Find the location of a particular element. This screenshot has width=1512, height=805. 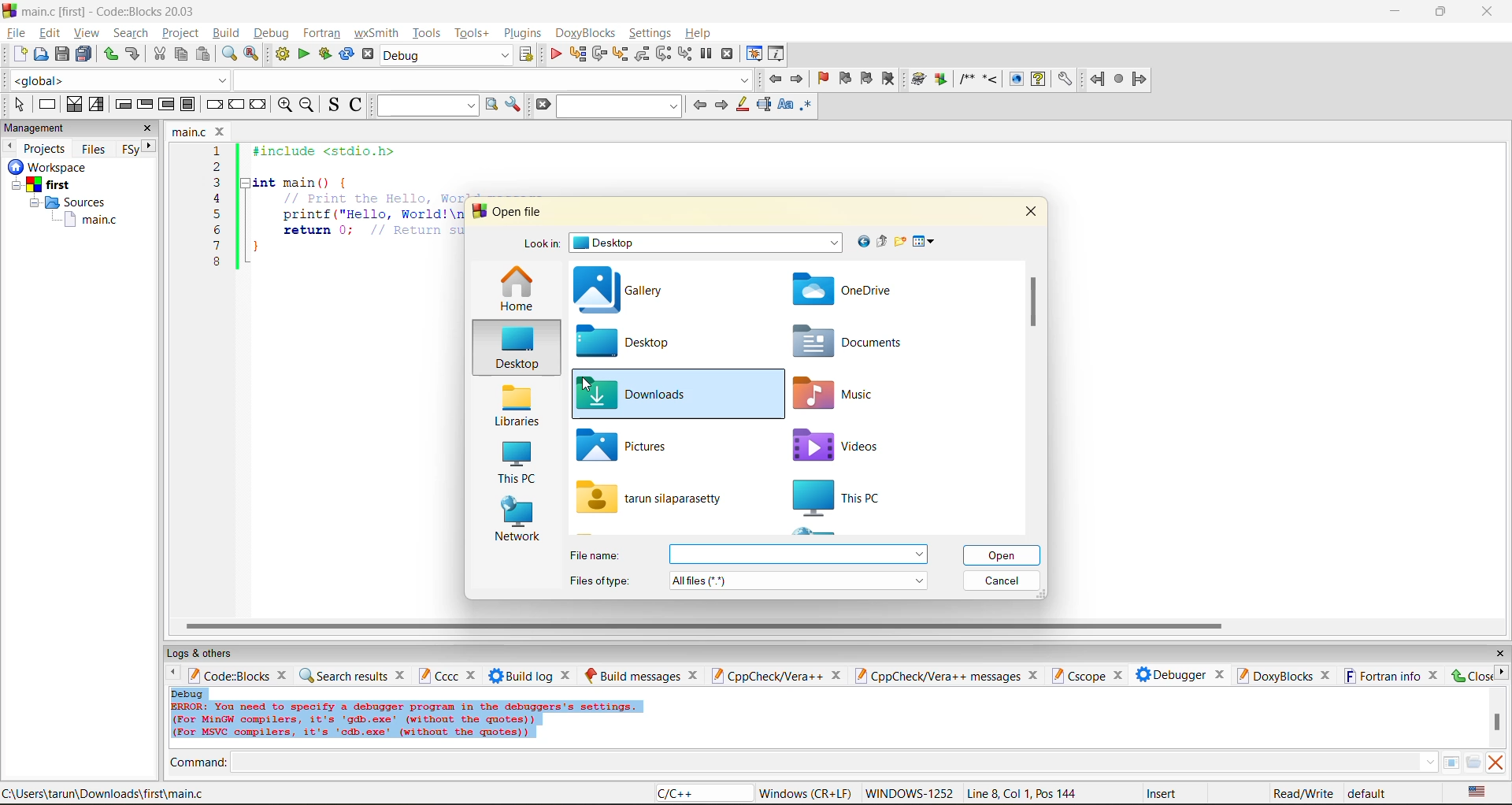

Error info is located at coordinates (406, 721).